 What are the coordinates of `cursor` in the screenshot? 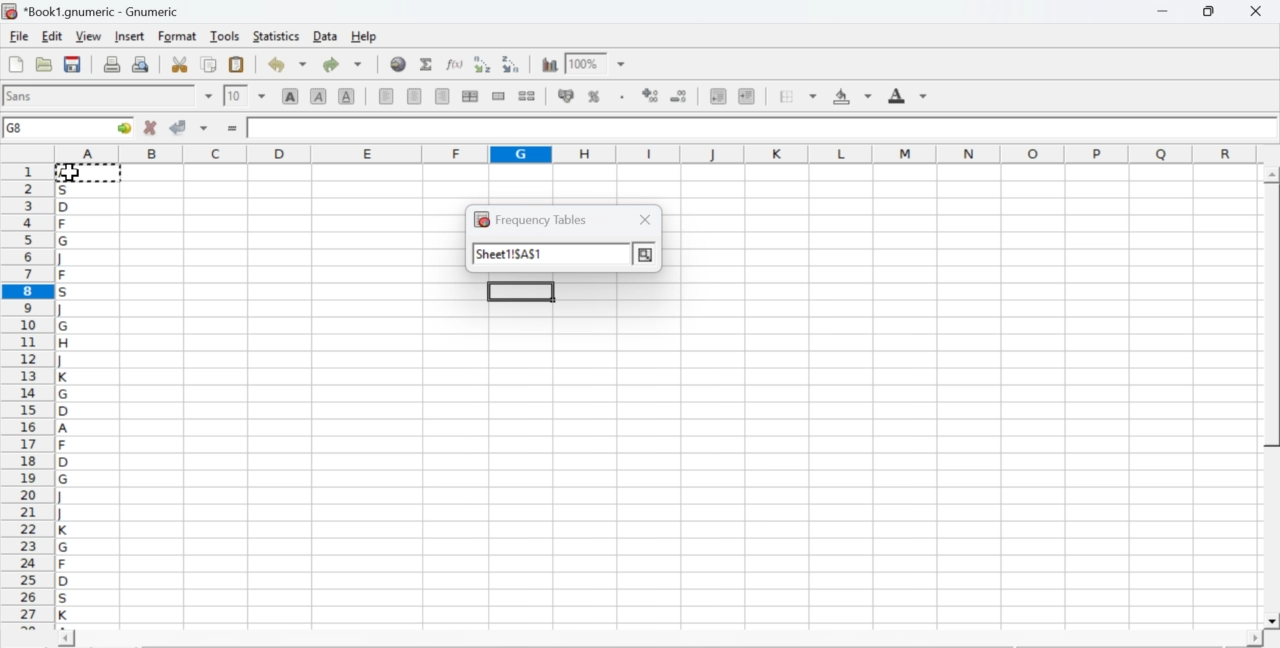 It's located at (70, 172).